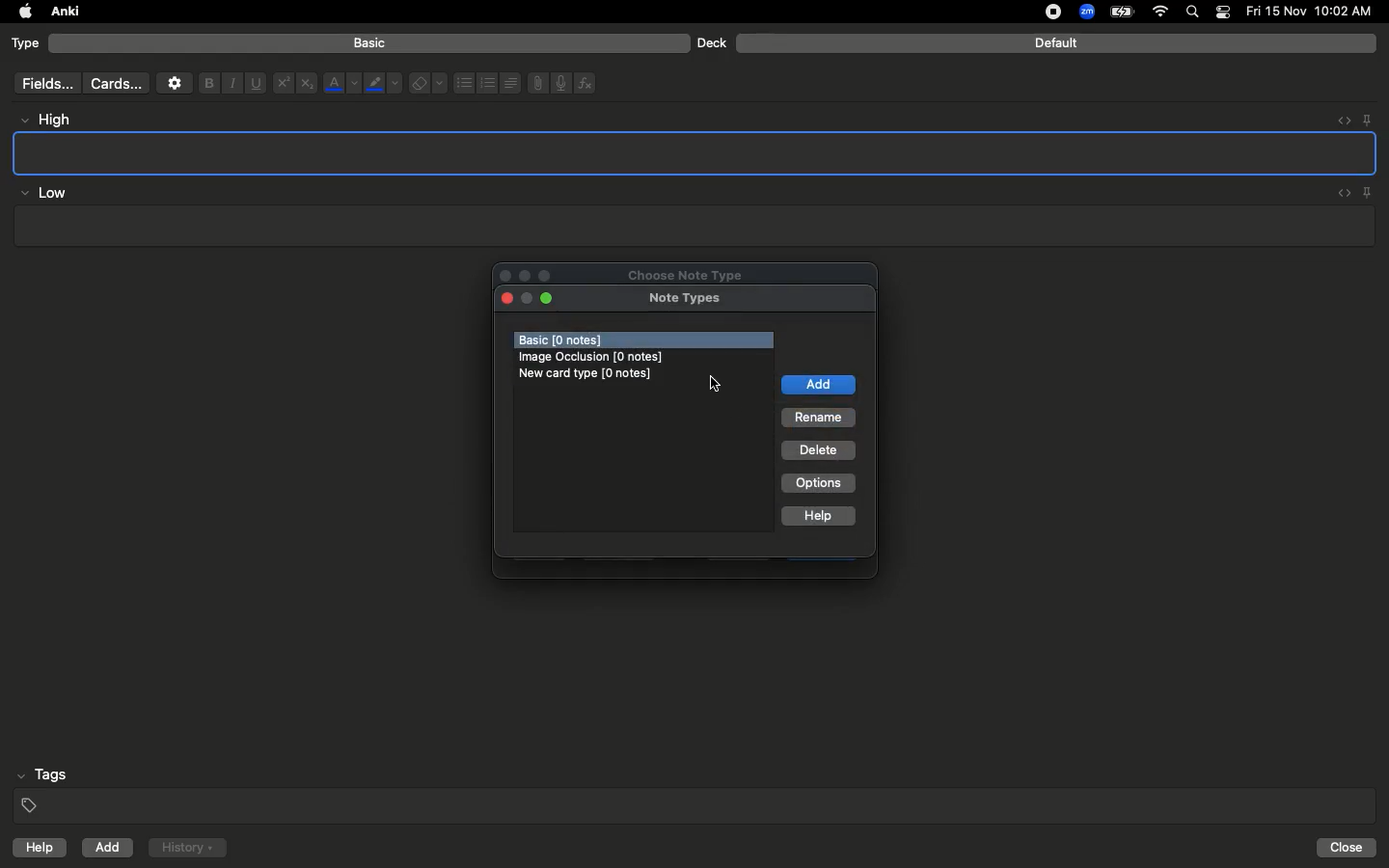 The width and height of the screenshot is (1389, 868). What do you see at coordinates (591, 374) in the screenshot?
I see `New card type` at bounding box center [591, 374].